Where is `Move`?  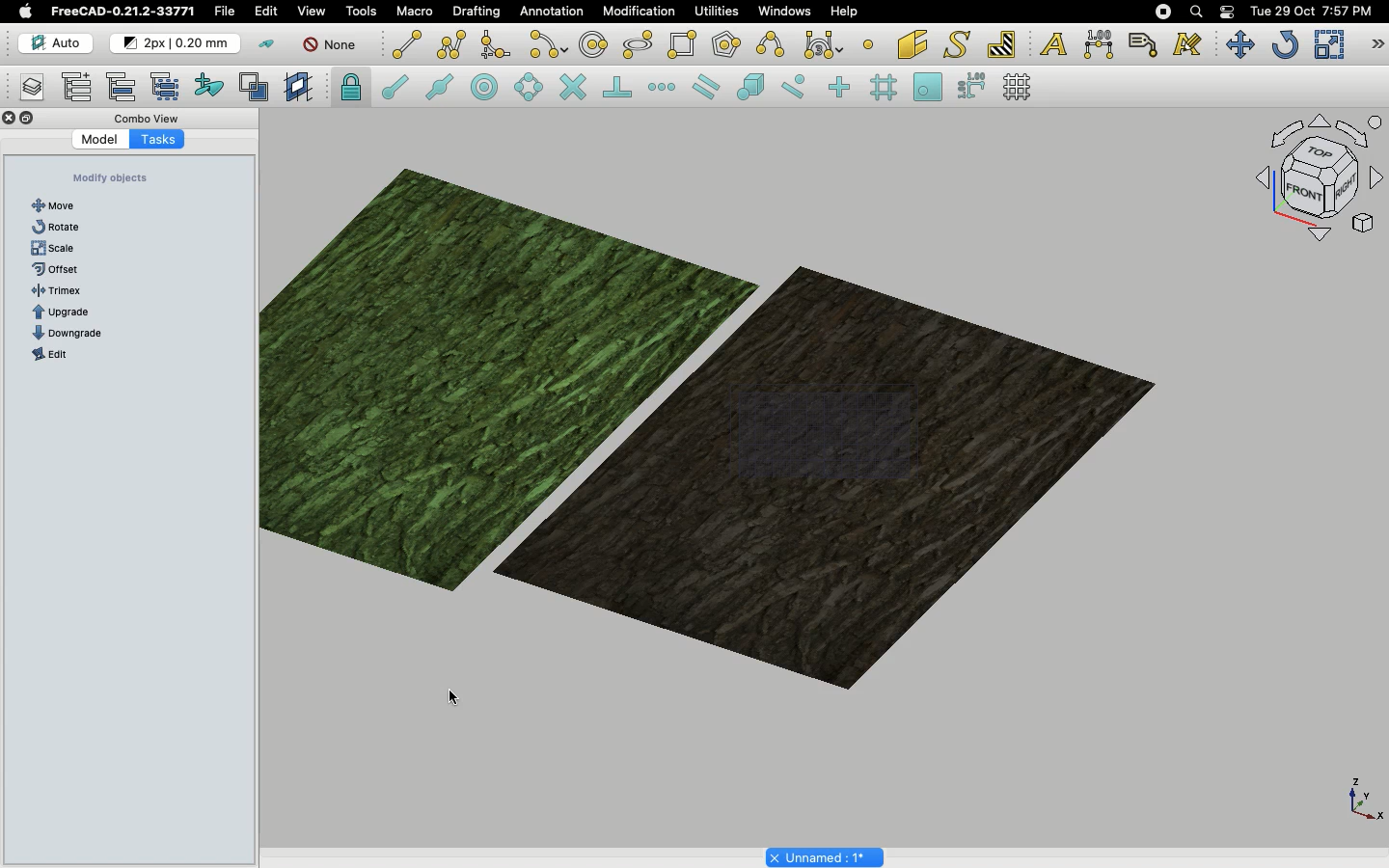
Move is located at coordinates (61, 203).